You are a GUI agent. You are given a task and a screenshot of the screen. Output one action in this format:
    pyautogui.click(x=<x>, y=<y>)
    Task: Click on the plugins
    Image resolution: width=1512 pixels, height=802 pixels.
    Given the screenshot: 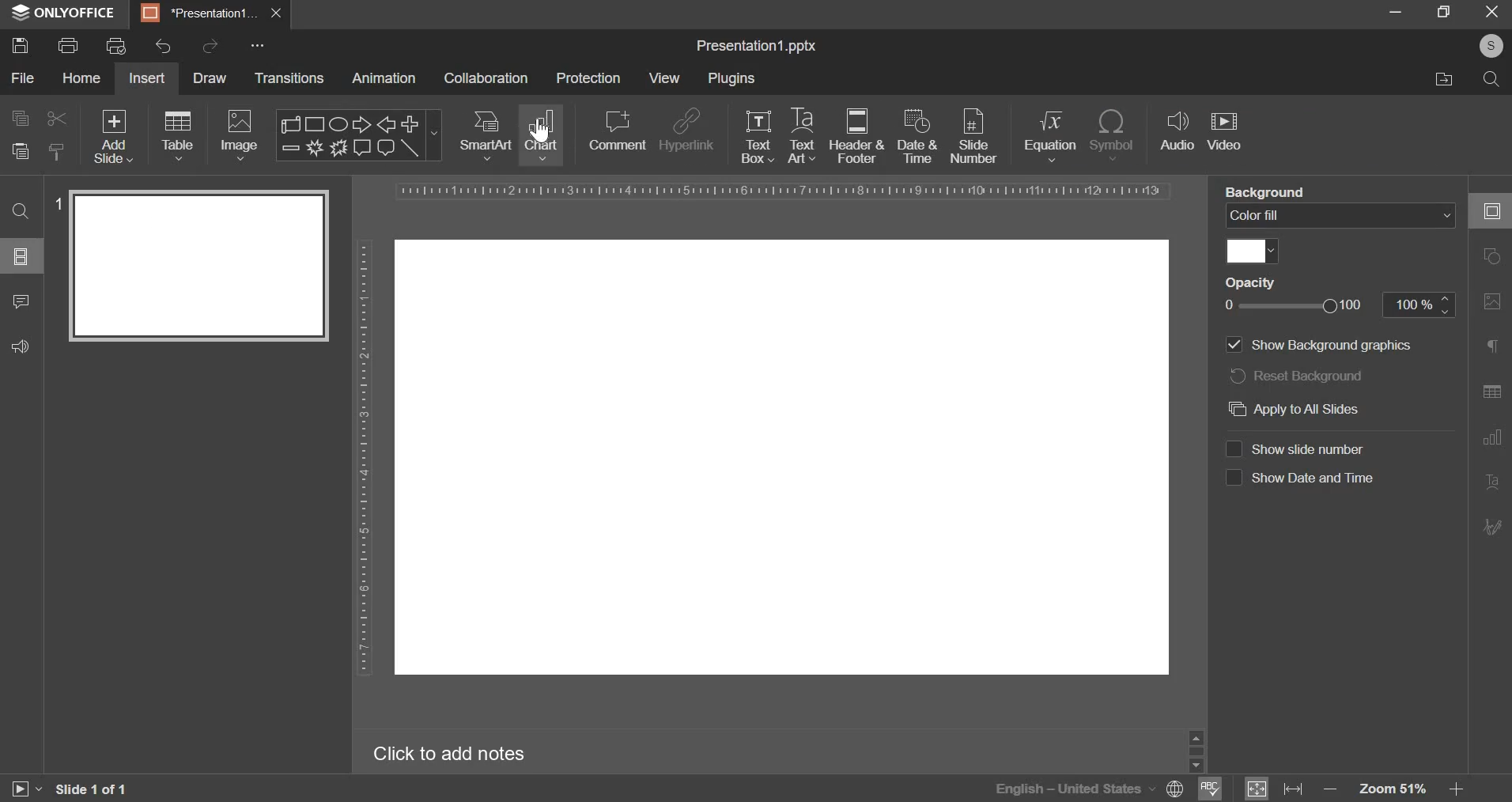 What is the action you would take?
    pyautogui.click(x=732, y=77)
    